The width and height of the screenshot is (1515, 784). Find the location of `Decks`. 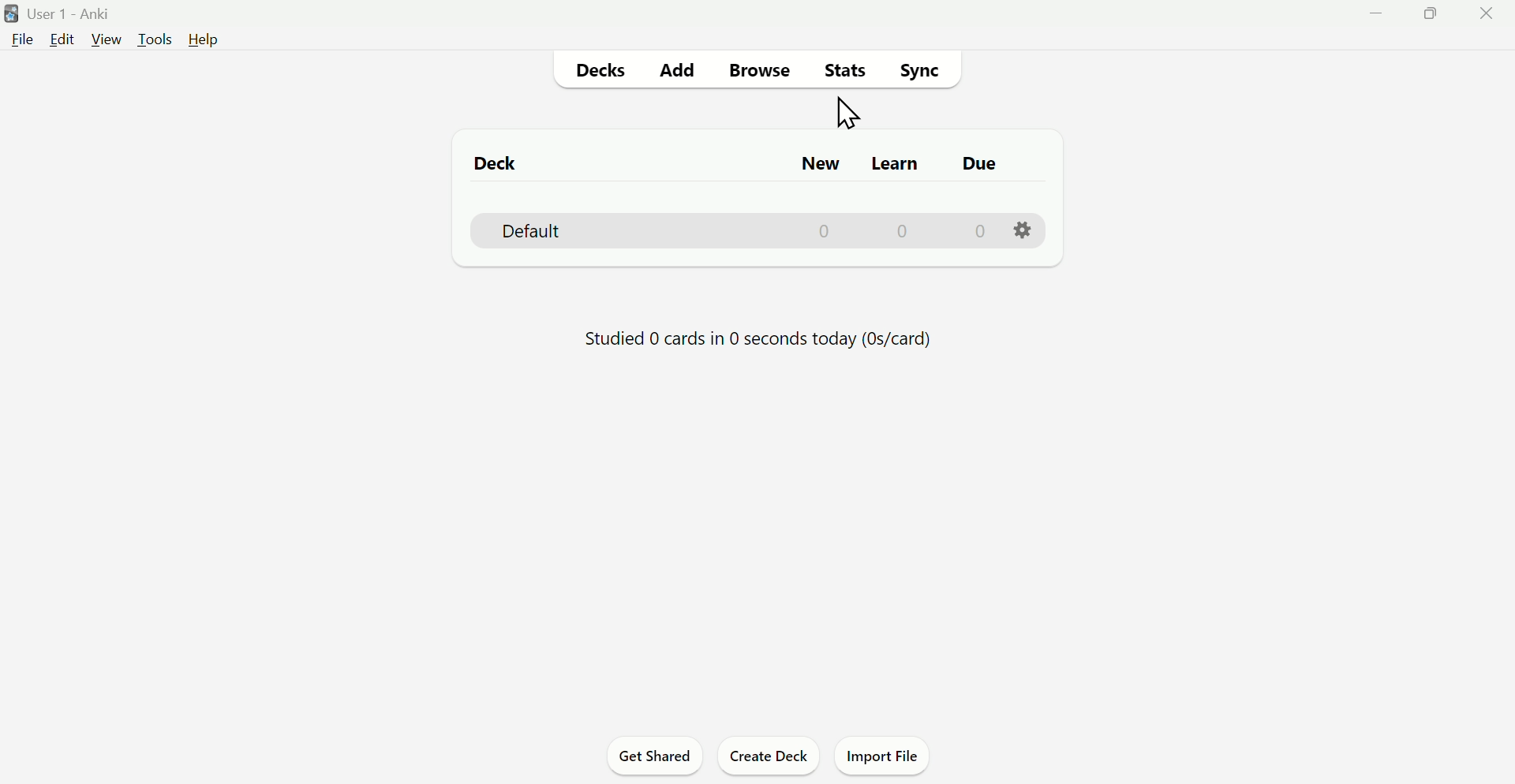

Decks is located at coordinates (604, 68).